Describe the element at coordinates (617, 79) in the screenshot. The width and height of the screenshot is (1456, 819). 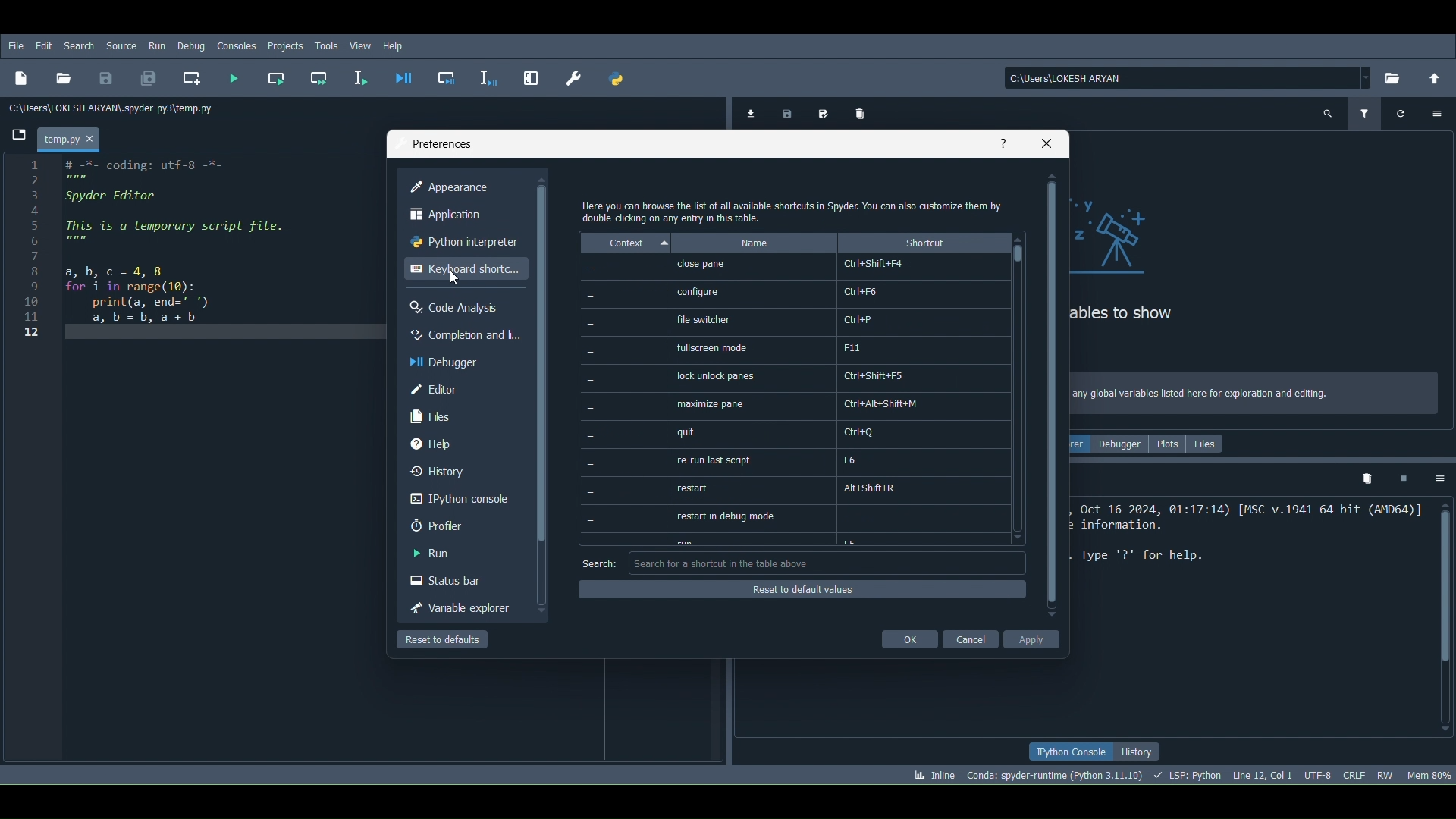
I see `PYTHONPATH manager` at that location.